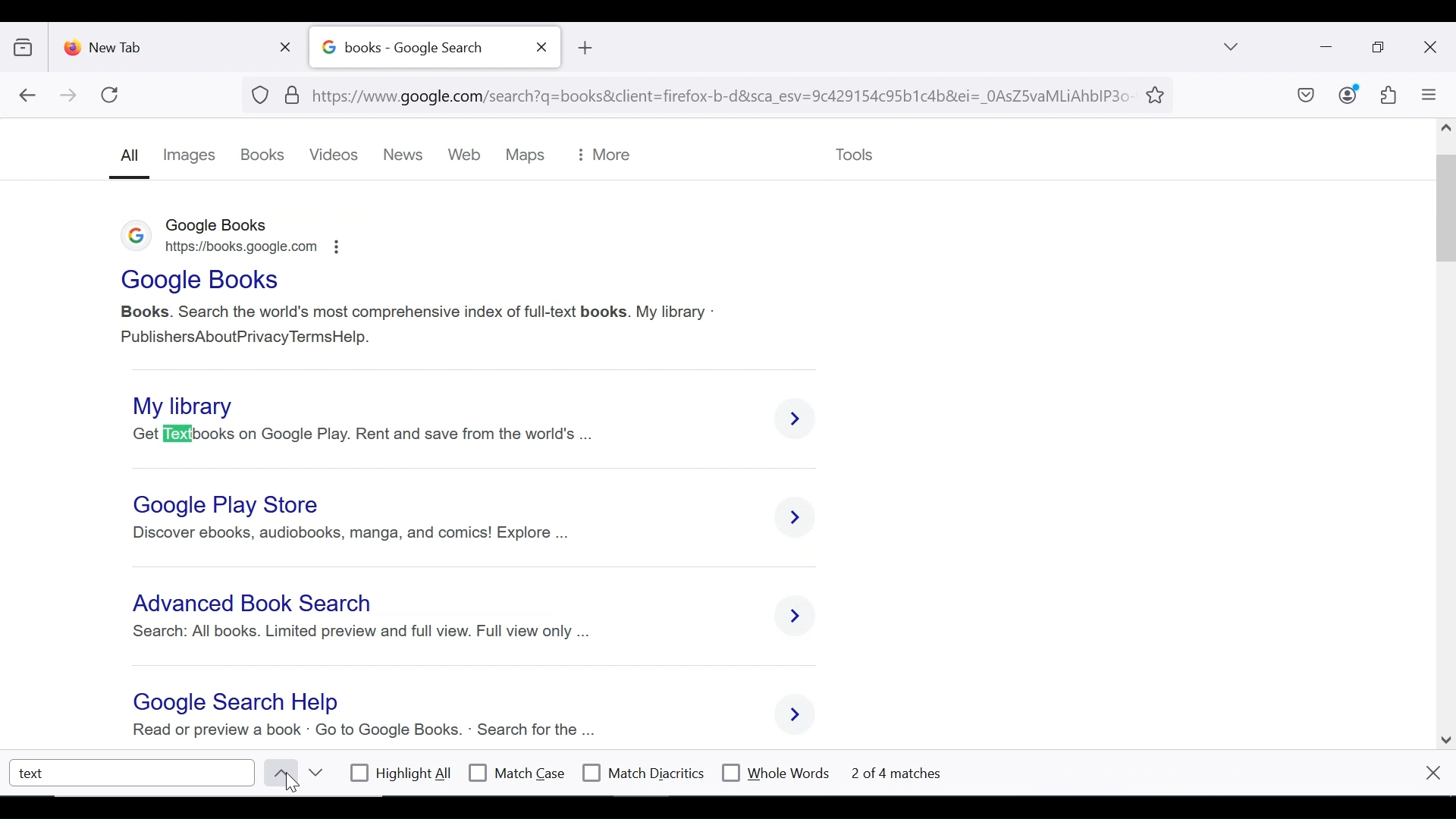 The width and height of the screenshot is (1456, 819). What do you see at coordinates (418, 48) in the screenshot?
I see `books - Google Search` at bounding box center [418, 48].